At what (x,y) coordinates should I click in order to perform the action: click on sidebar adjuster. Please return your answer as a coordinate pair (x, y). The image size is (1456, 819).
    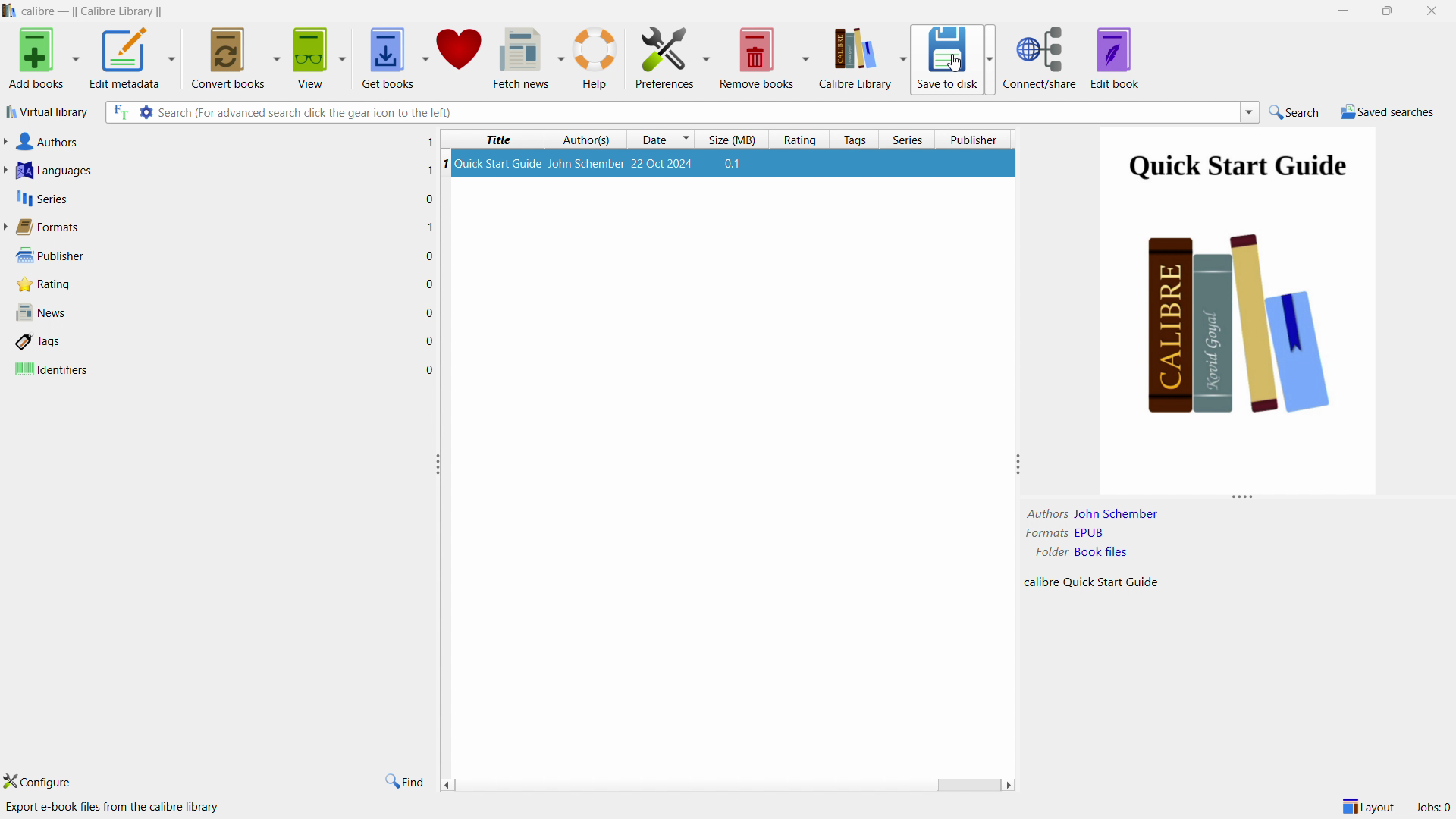
    Looking at the image, I should click on (438, 463).